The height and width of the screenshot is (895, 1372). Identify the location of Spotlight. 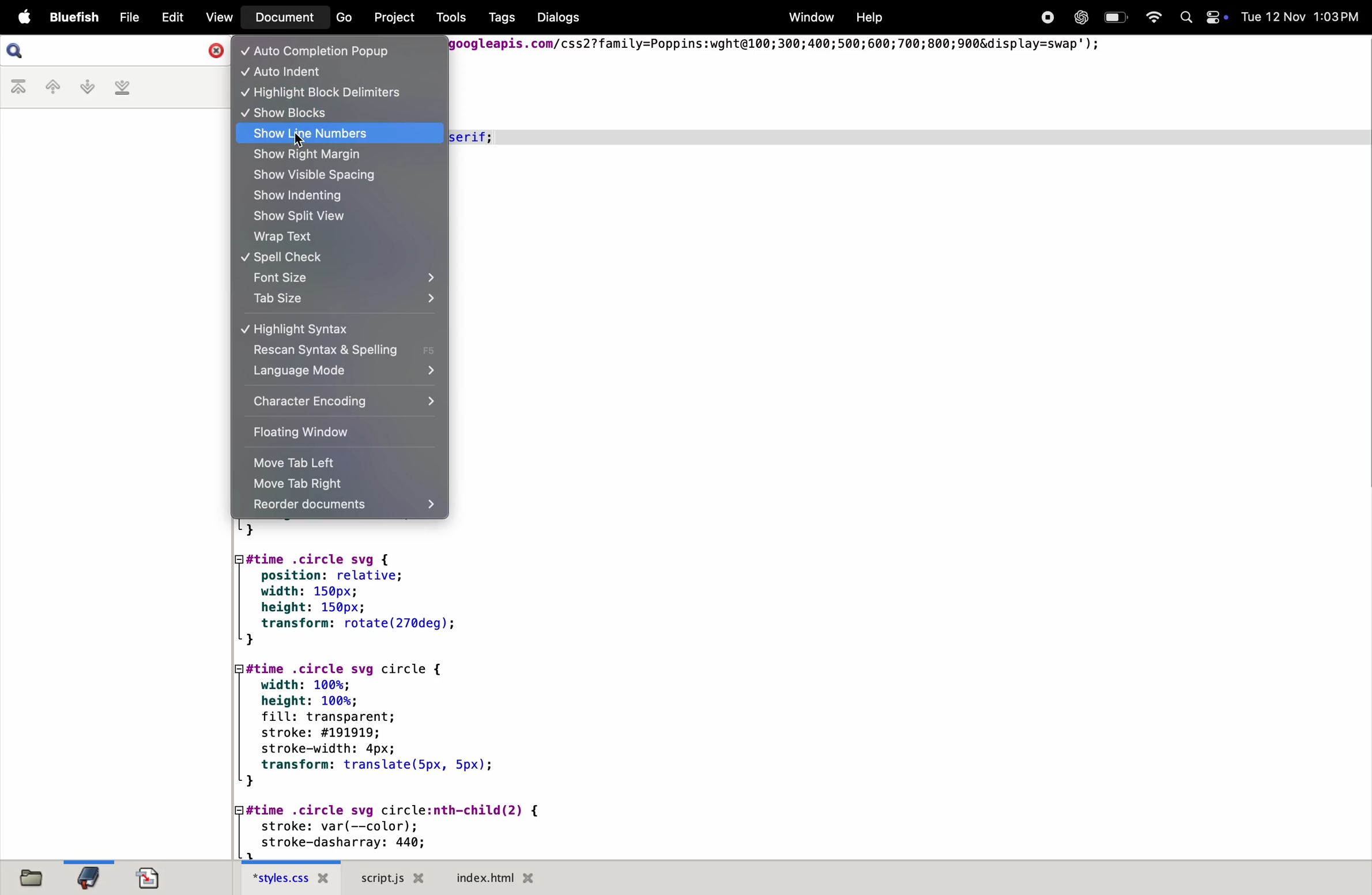
(1185, 19).